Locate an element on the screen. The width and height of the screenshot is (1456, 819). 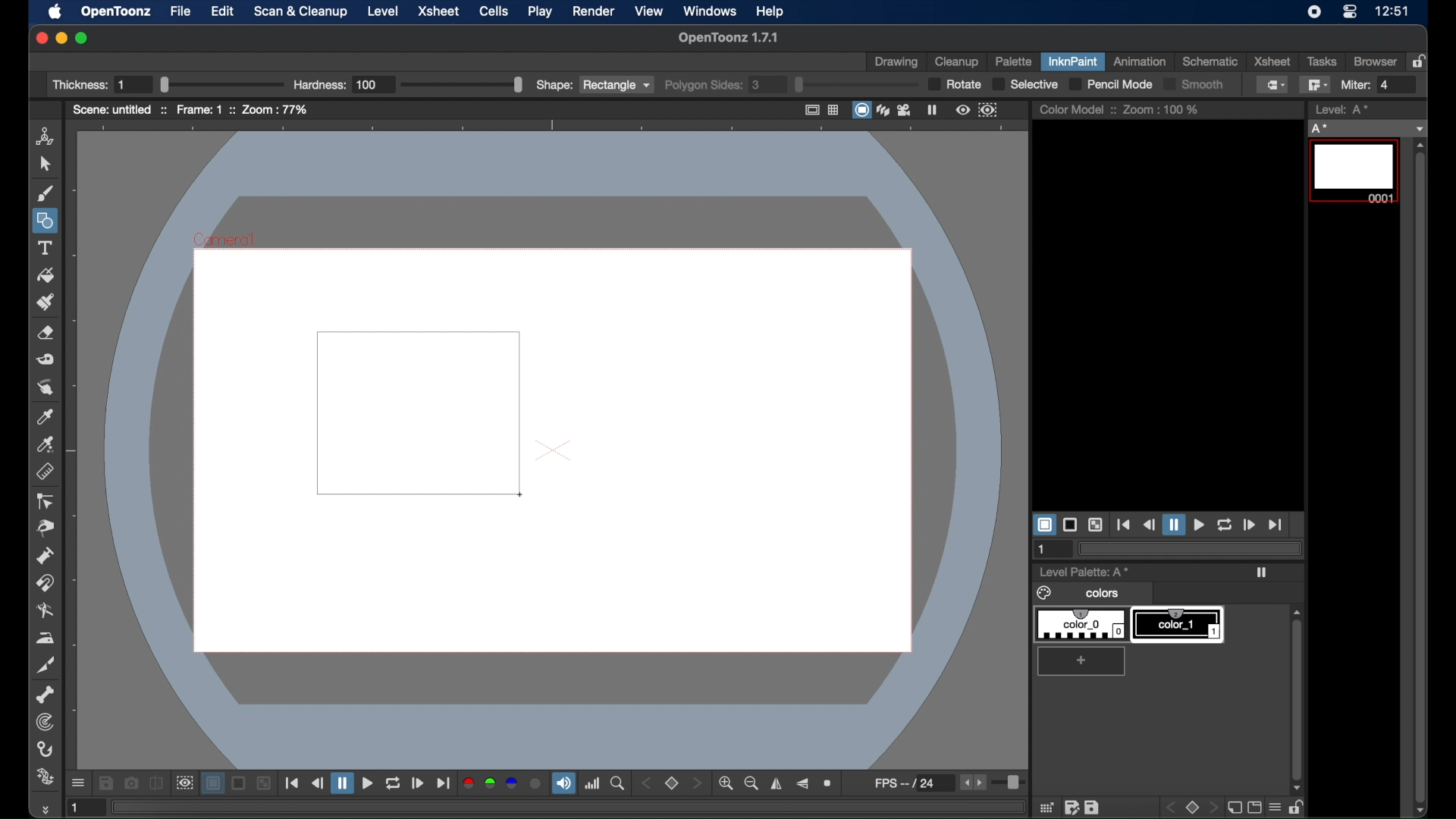
hook tool is located at coordinates (45, 749).